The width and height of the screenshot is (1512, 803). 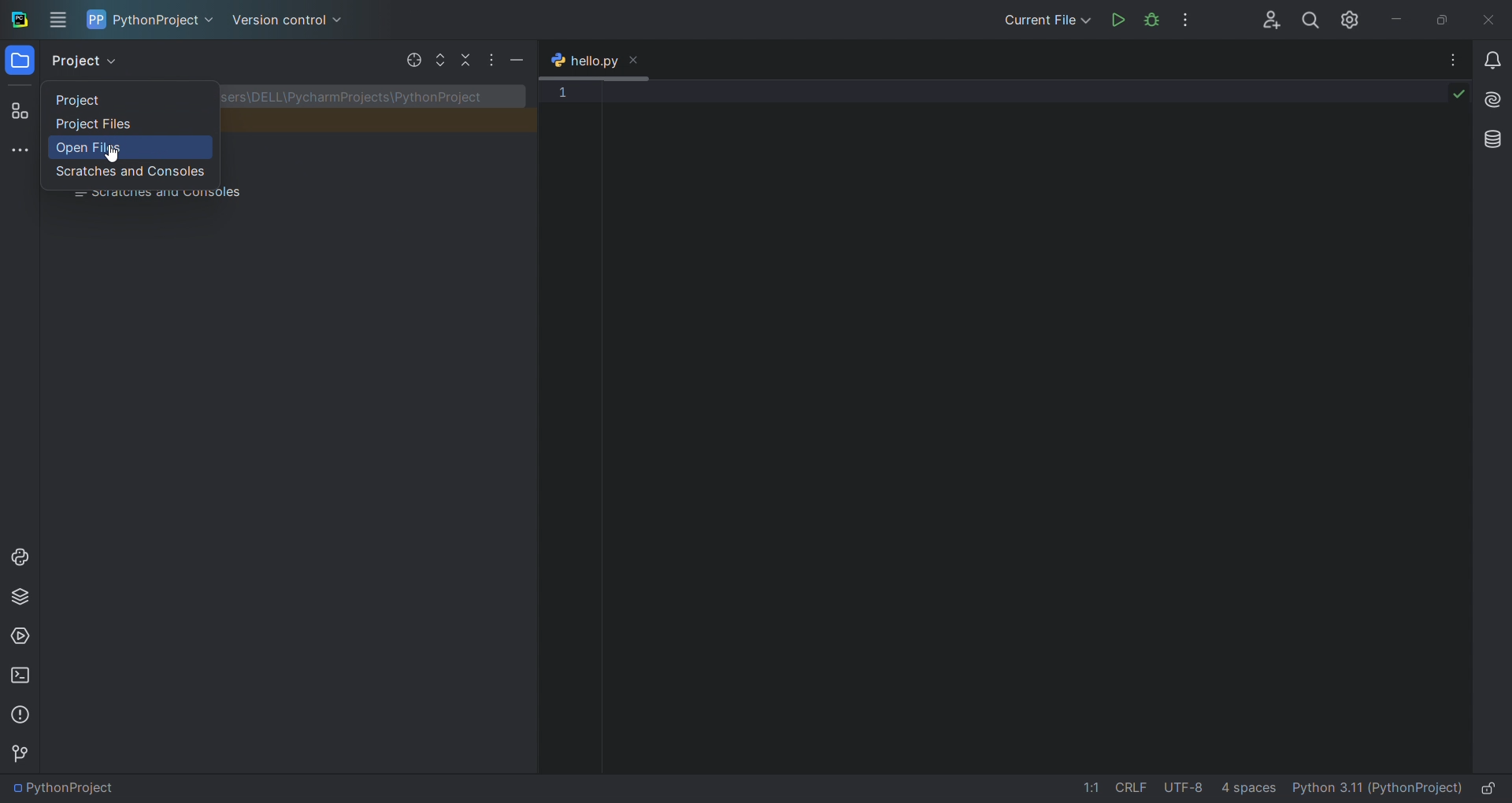 What do you see at coordinates (1118, 22) in the screenshot?
I see `run` at bounding box center [1118, 22].